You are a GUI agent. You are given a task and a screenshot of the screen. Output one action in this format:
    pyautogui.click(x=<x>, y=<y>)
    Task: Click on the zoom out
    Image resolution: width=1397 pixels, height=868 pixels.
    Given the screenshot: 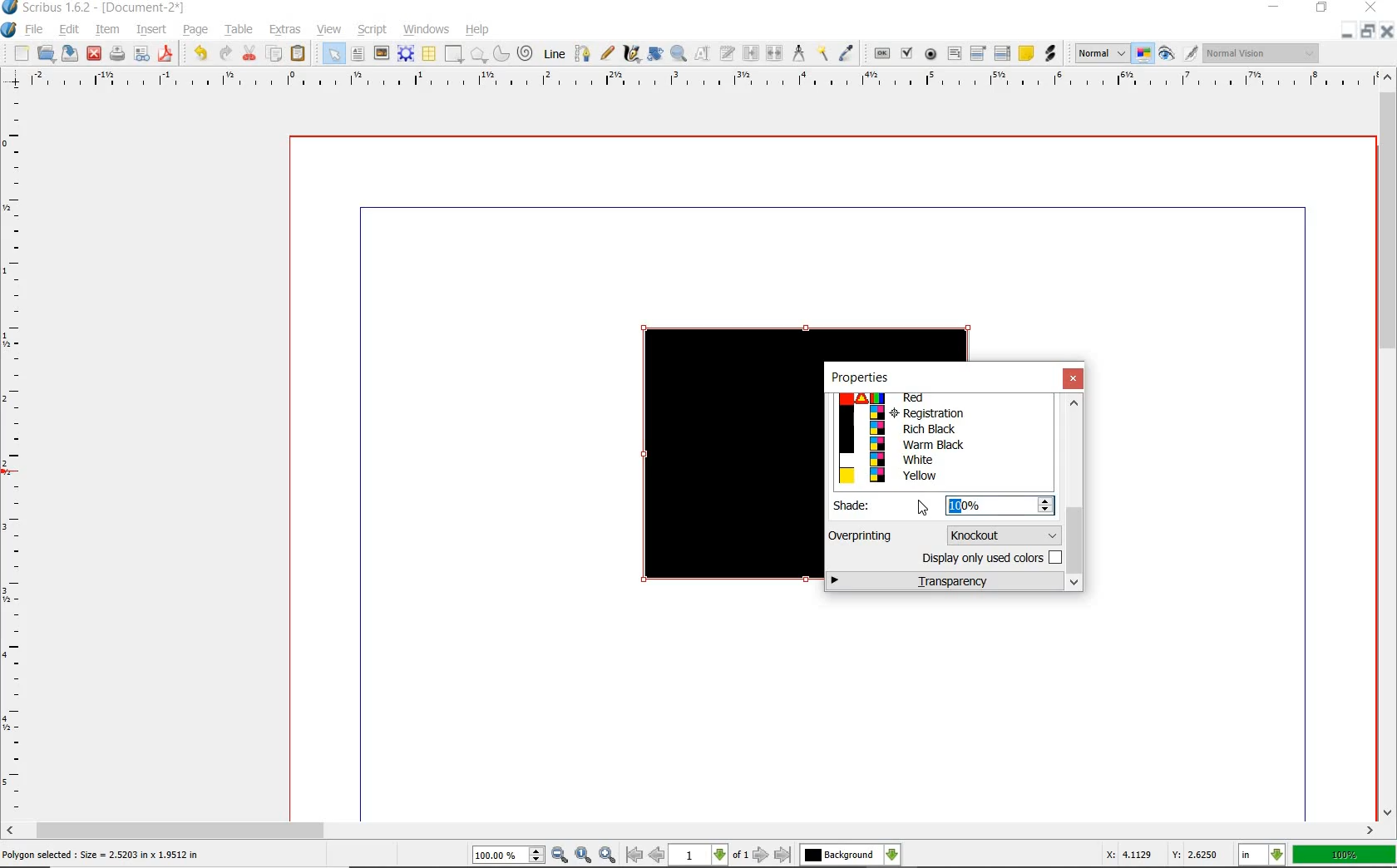 What is the action you would take?
    pyautogui.click(x=560, y=855)
    